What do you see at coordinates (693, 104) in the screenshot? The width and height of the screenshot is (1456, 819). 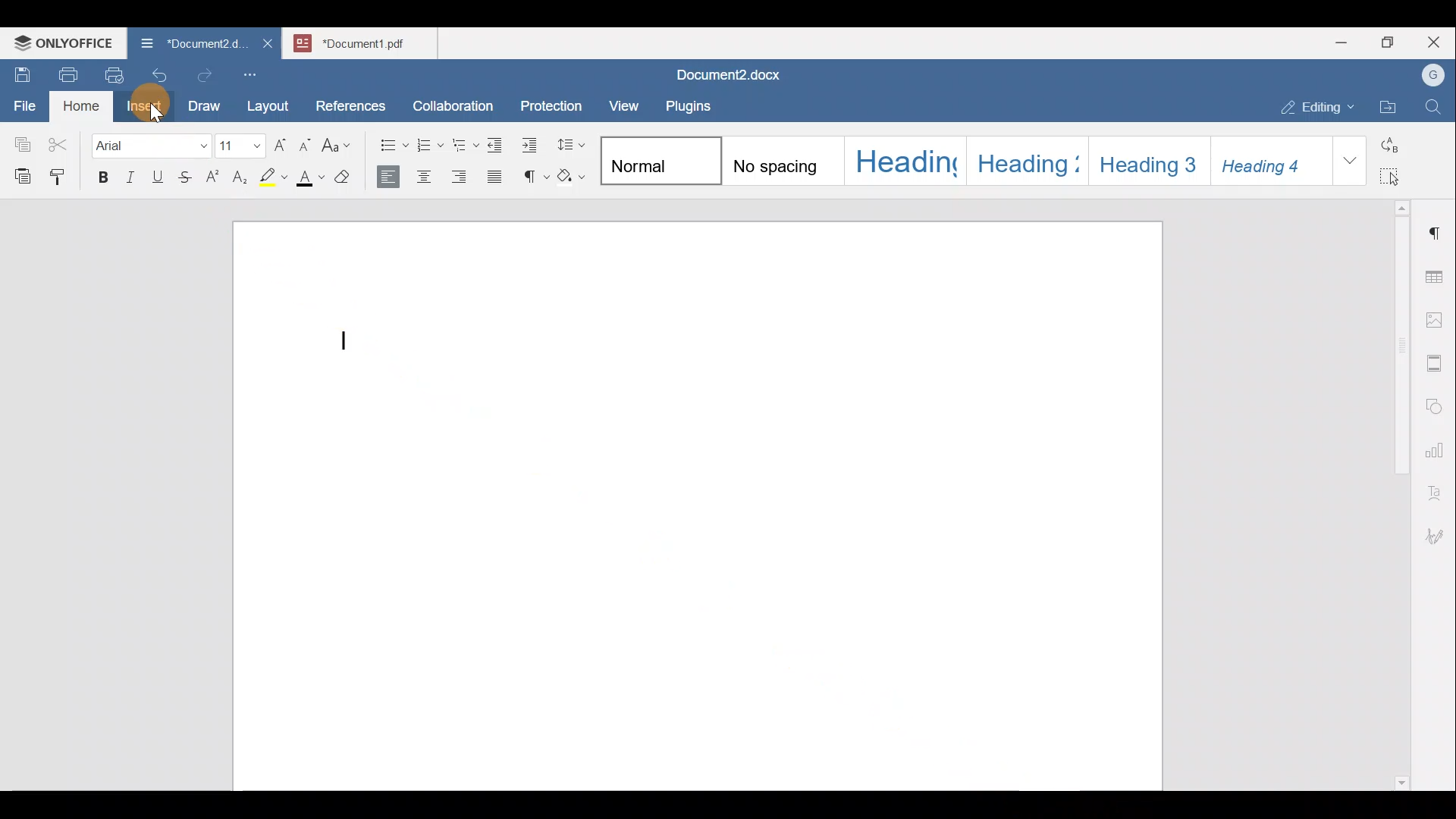 I see `Plugins` at bounding box center [693, 104].